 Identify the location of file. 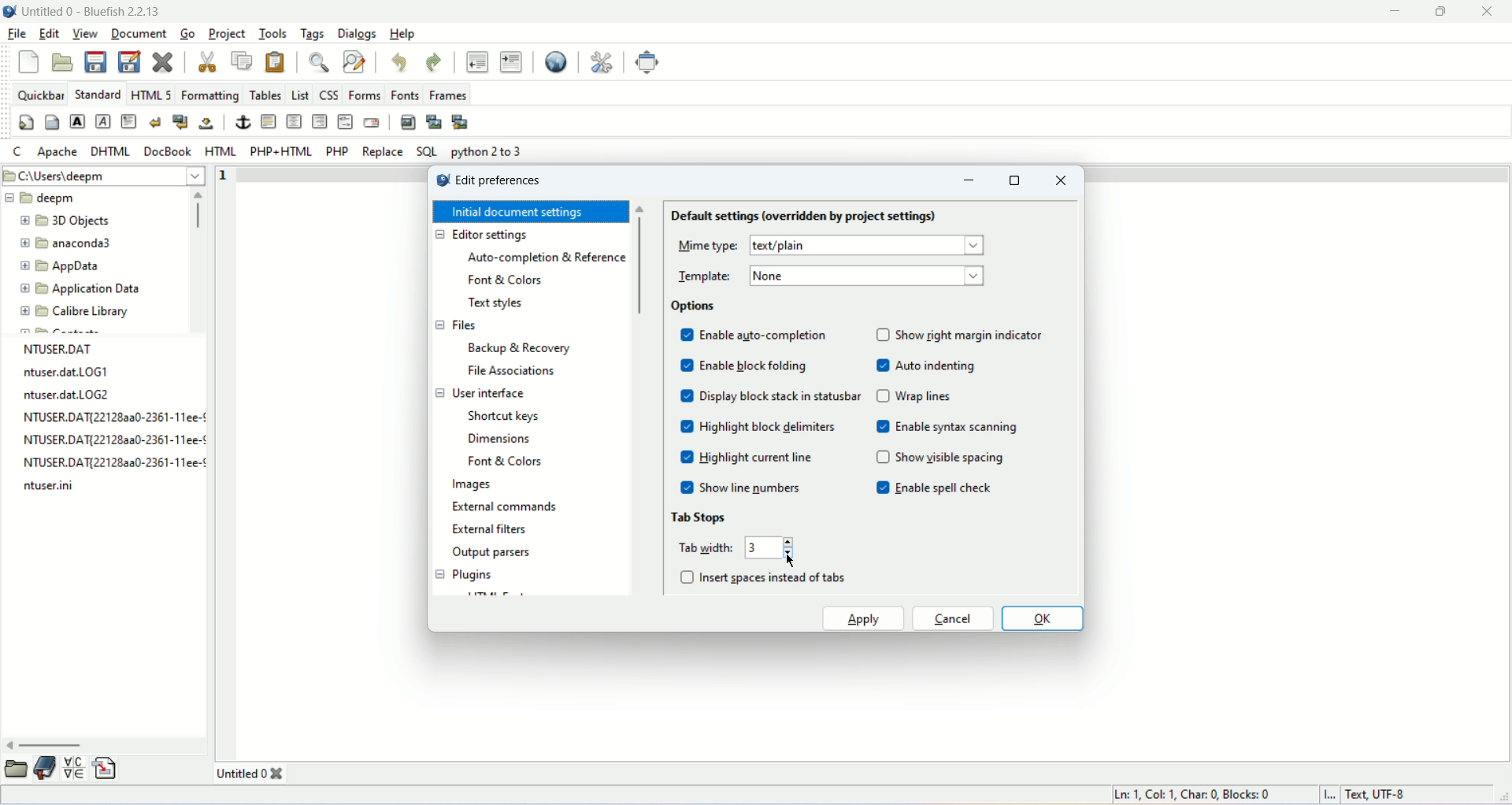
(18, 34).